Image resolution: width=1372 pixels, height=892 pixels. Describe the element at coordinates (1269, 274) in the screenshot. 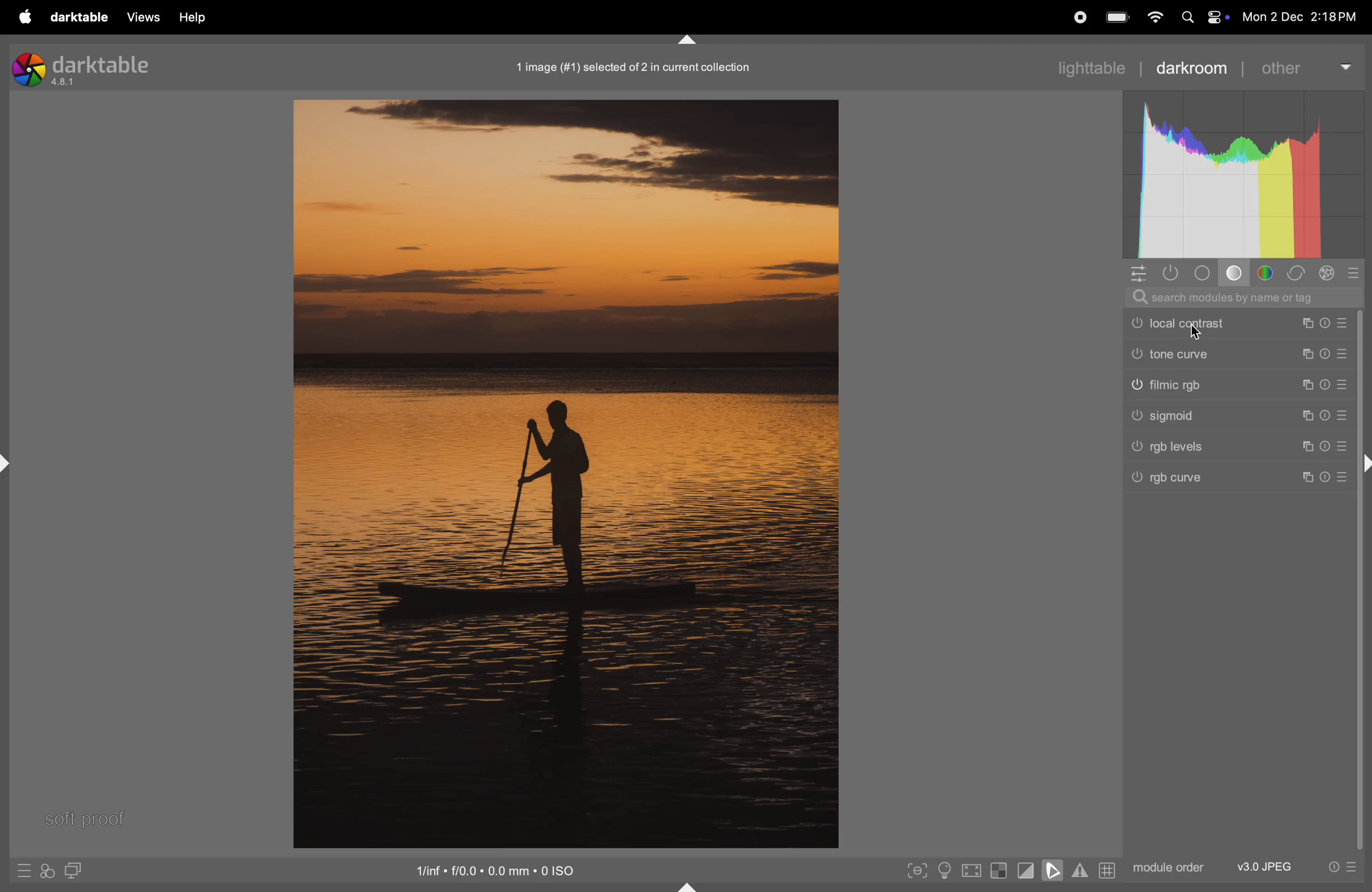

I see `color` at that location.